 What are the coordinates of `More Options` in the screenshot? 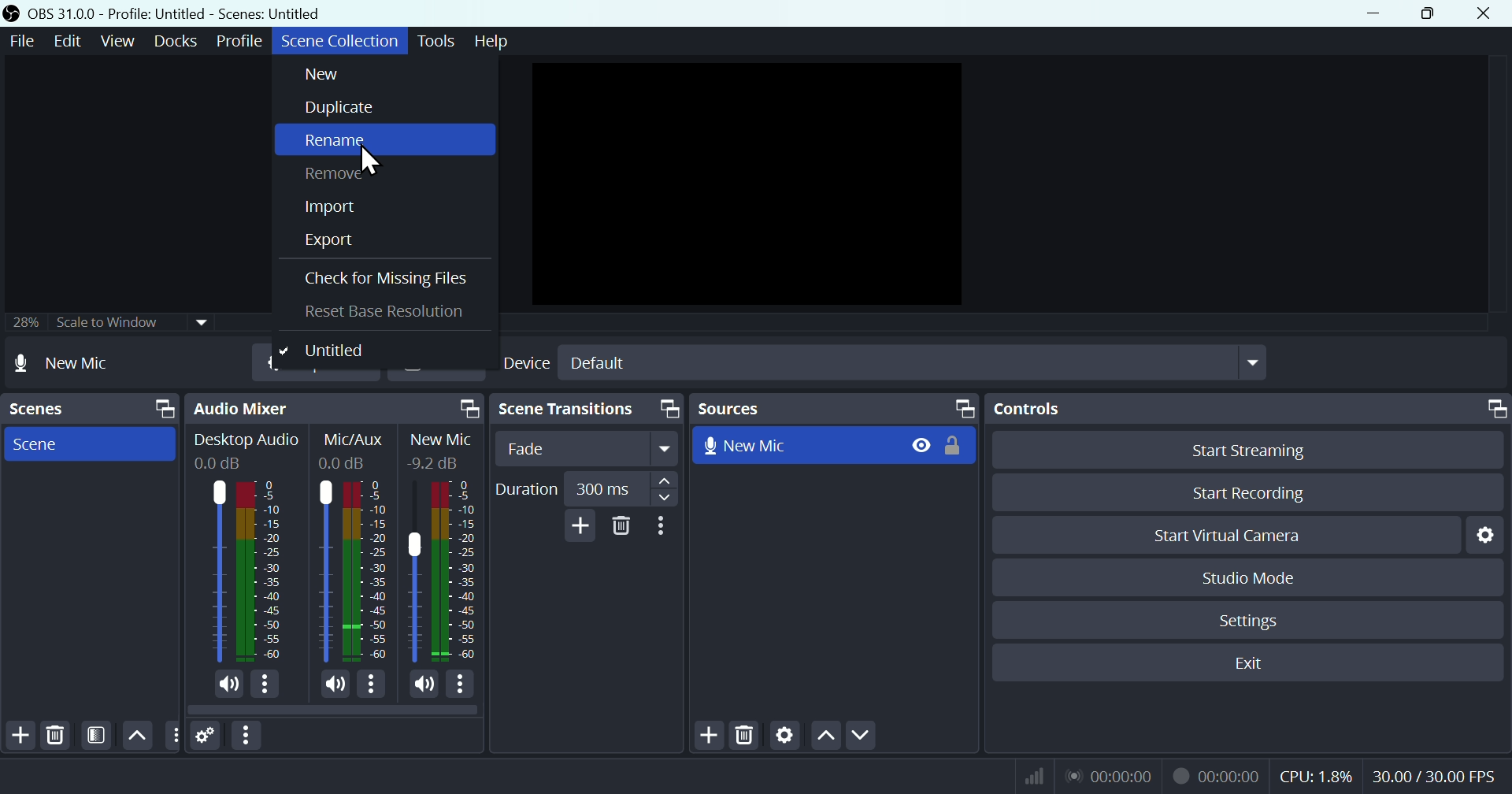 It's located at (267, 685).